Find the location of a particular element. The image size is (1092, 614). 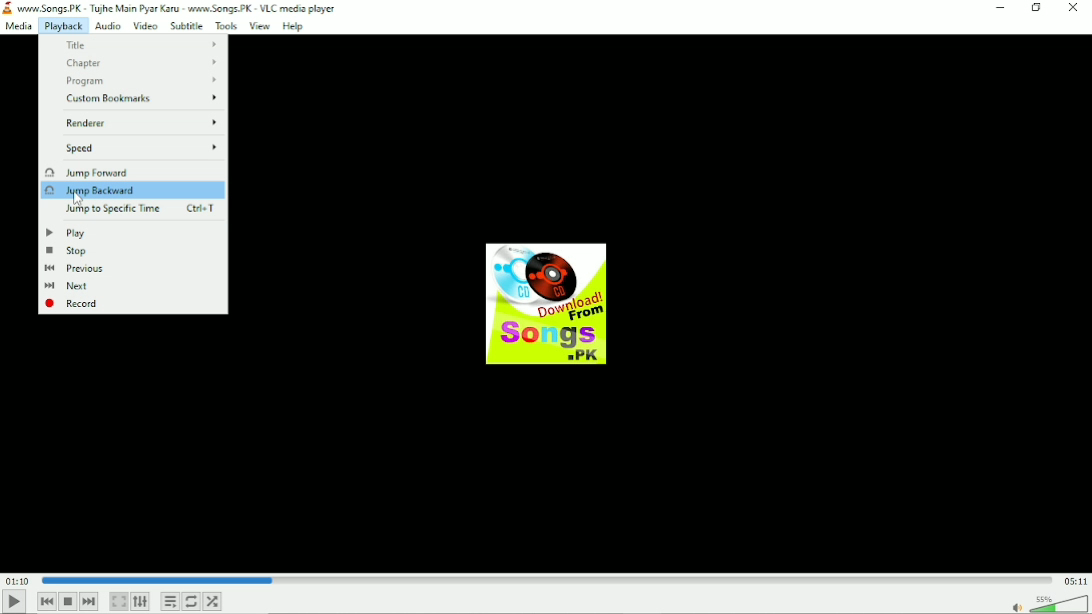

Next is located at coordinates (90, 601).